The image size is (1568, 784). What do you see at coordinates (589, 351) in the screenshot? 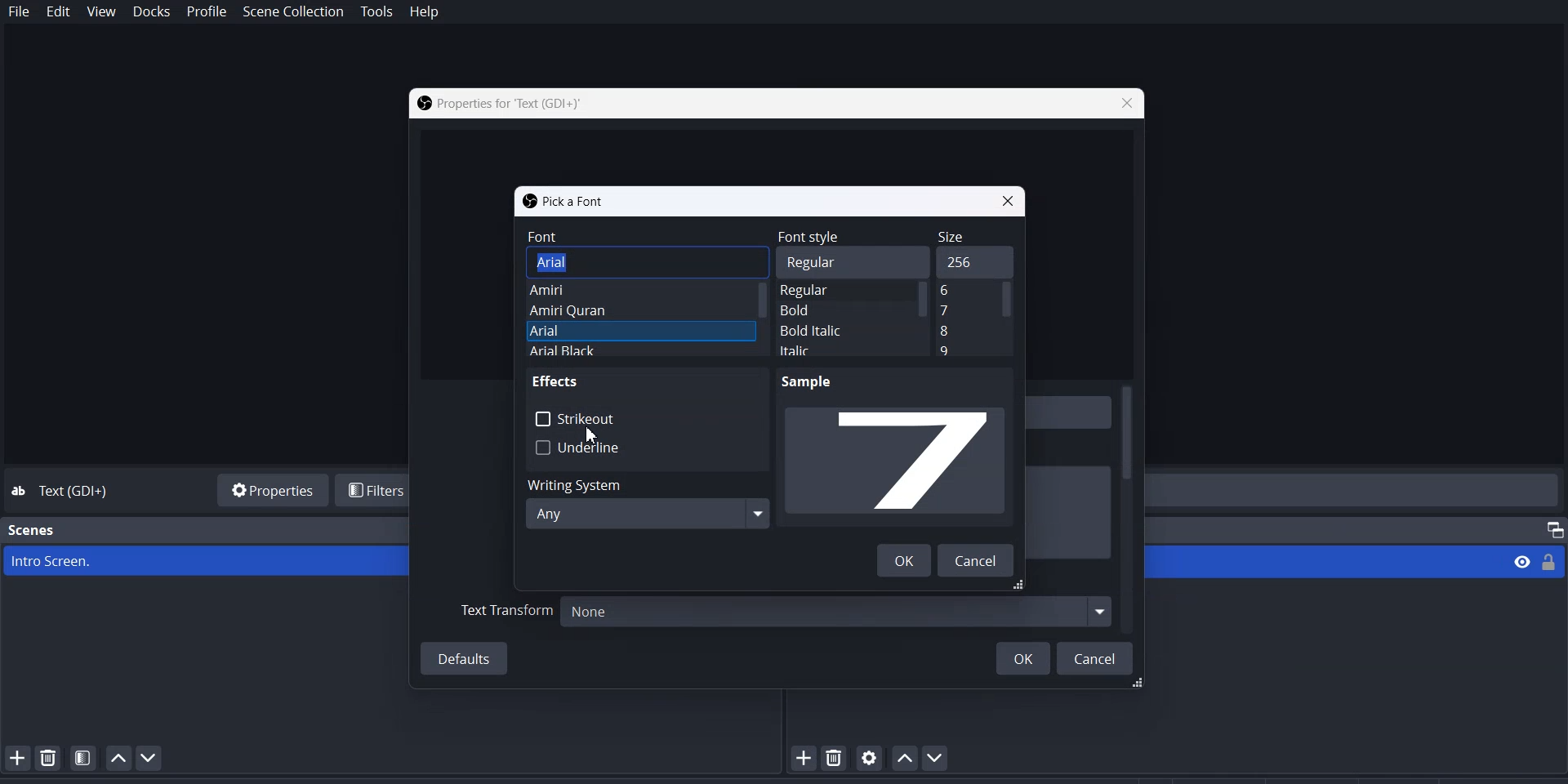
I see `Arial Black` at bounding box center [589, 351].